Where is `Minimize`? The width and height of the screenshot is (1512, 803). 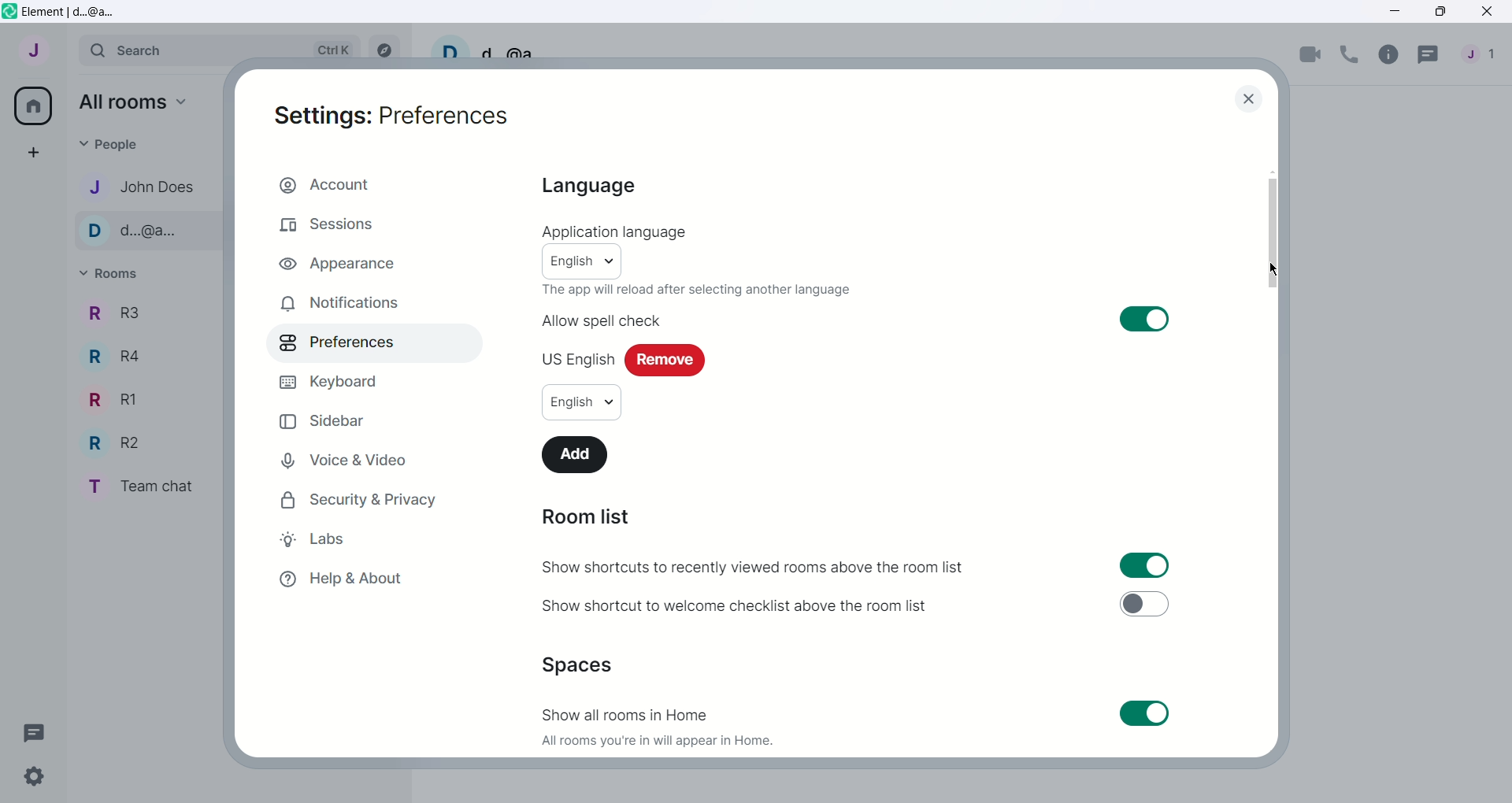 Minimize is located at coordinates (1396, 10).